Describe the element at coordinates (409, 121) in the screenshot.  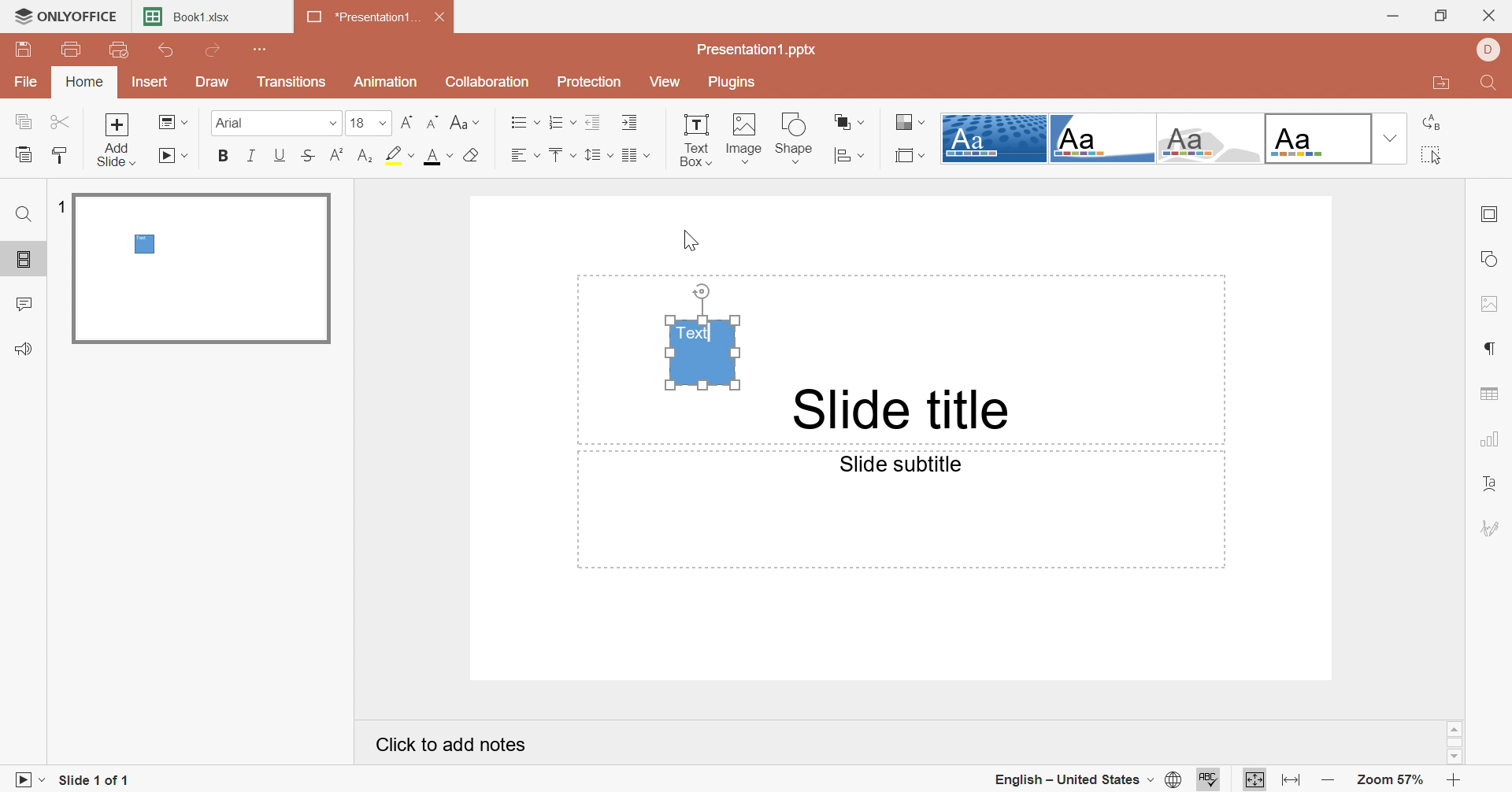
I see `Increment font size` at that location.